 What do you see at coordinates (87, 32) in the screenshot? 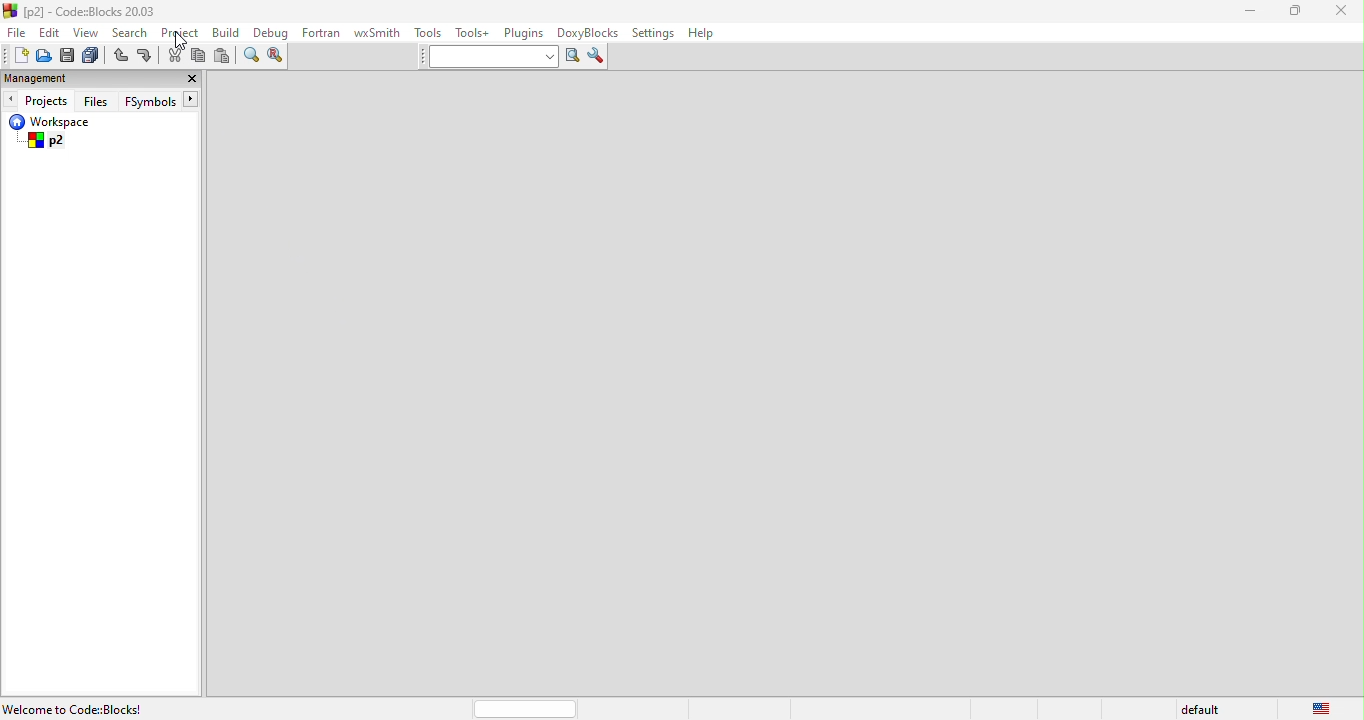
I see `view` at bounding box center [87, 32].